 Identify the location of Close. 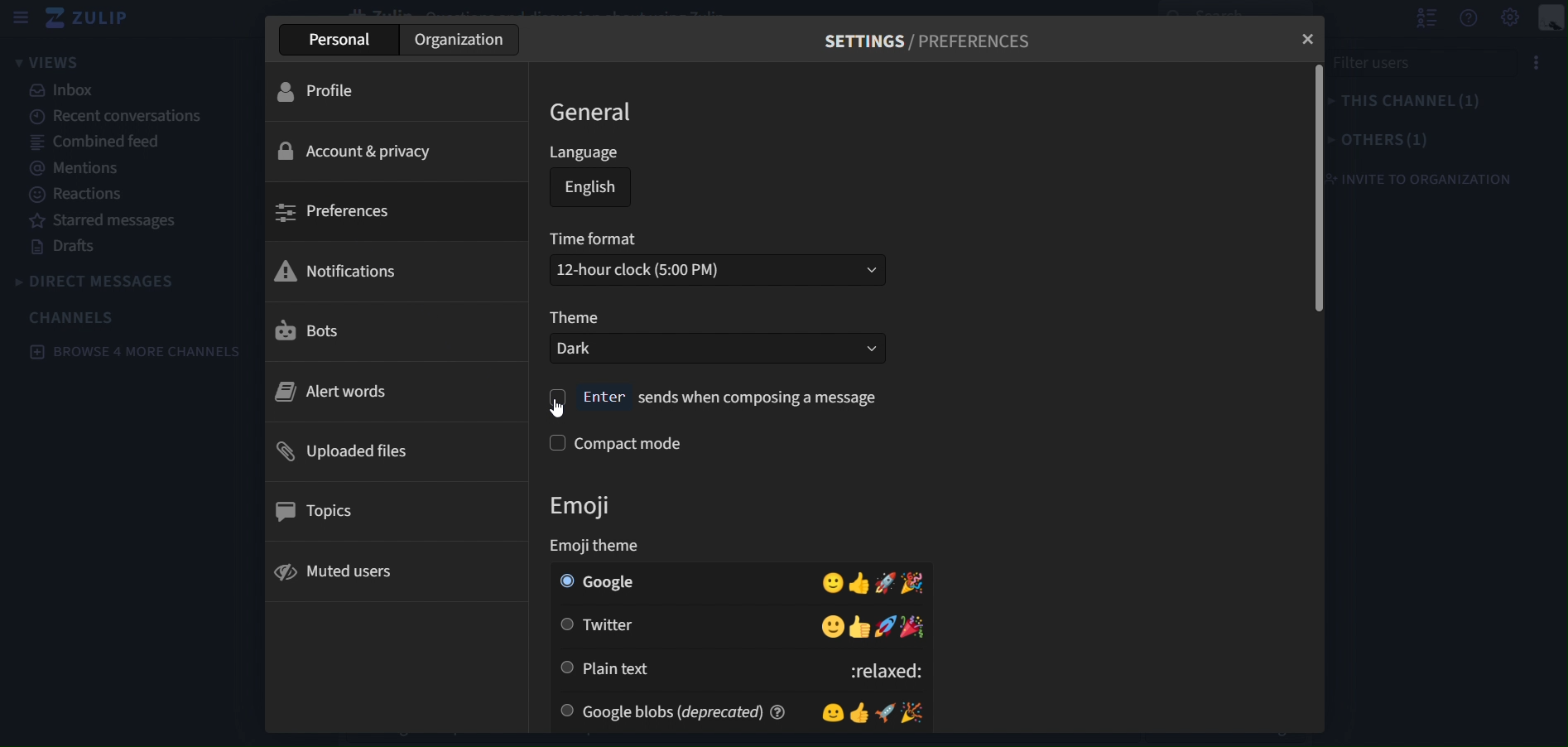
(1300, 43).